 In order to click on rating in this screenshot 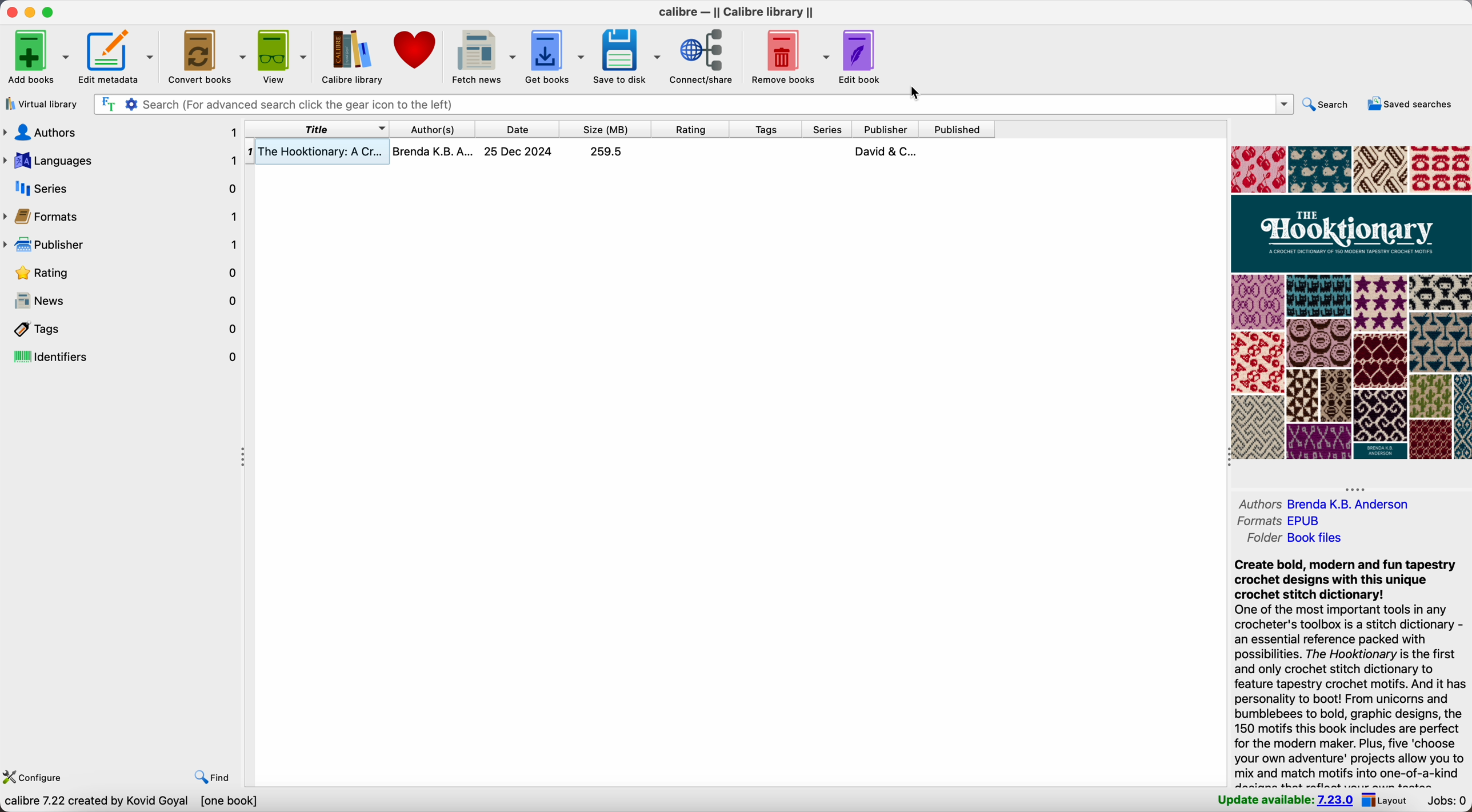, I will do `click(123, 273)`.